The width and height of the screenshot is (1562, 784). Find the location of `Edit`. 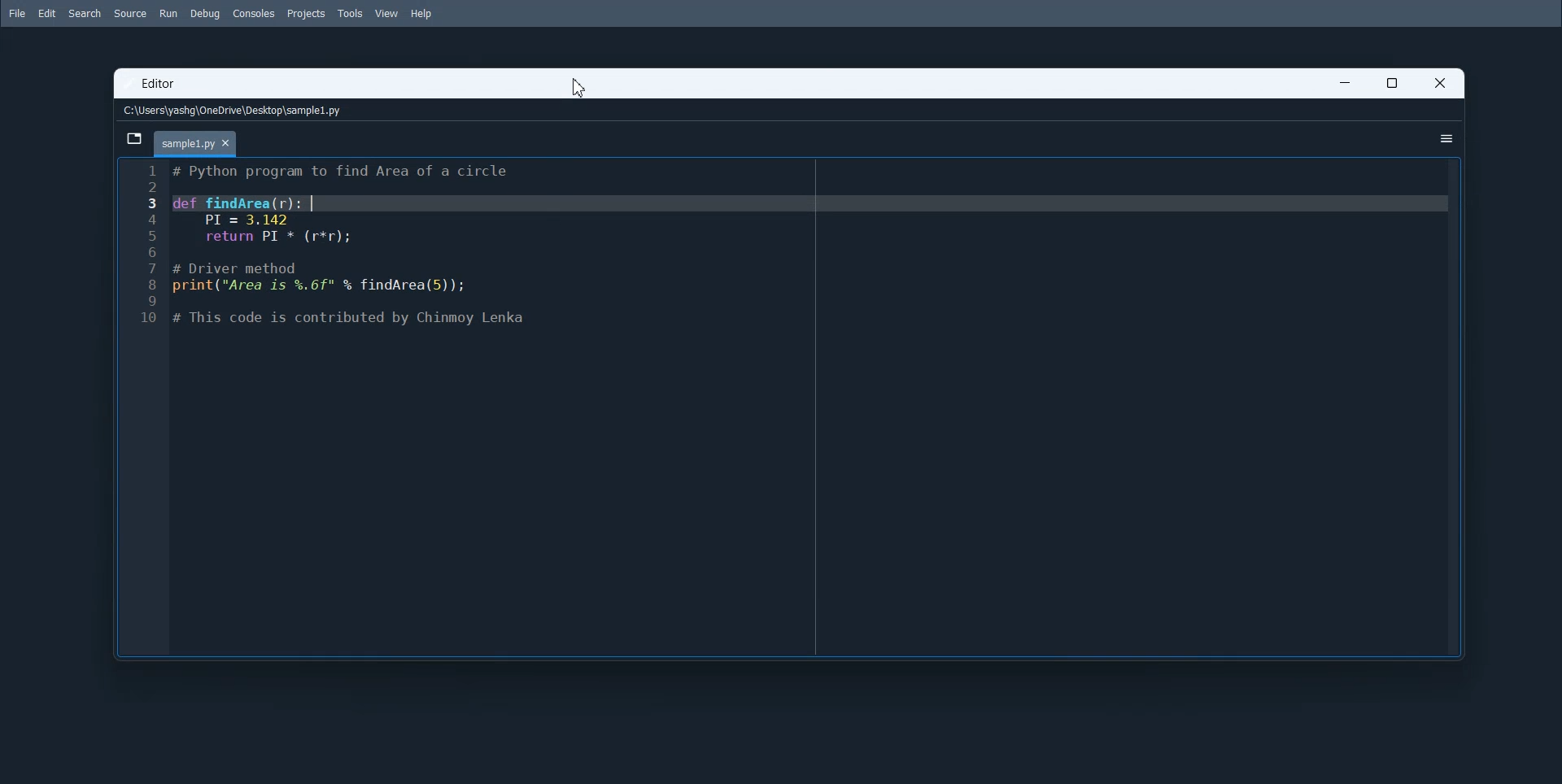

Edit is located at coordinates (46, 14).